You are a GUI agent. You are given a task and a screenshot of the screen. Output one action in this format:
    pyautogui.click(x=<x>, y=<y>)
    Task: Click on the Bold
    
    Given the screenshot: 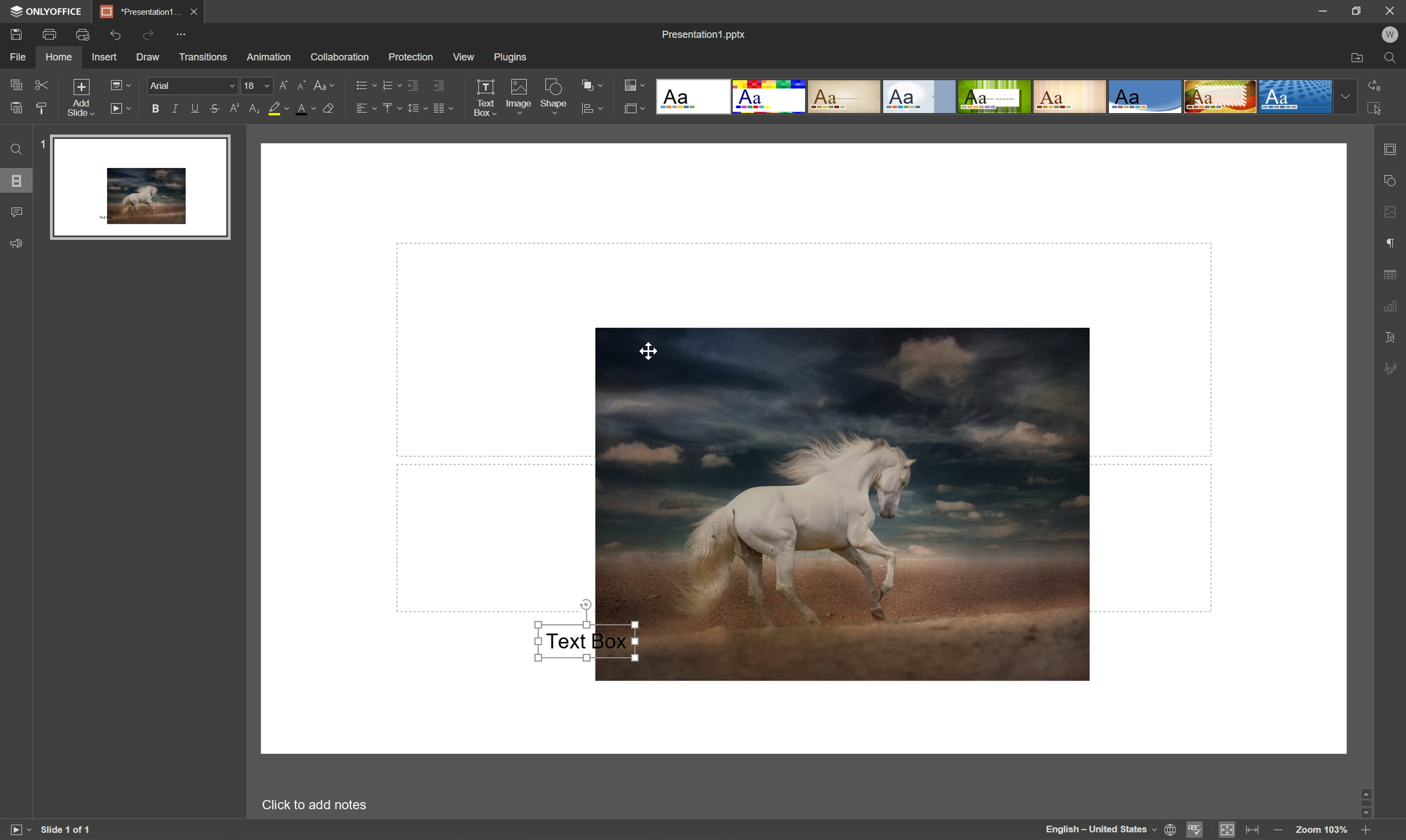 What is the action you would take?
    pyautogui.click(x=154, y=109)
    